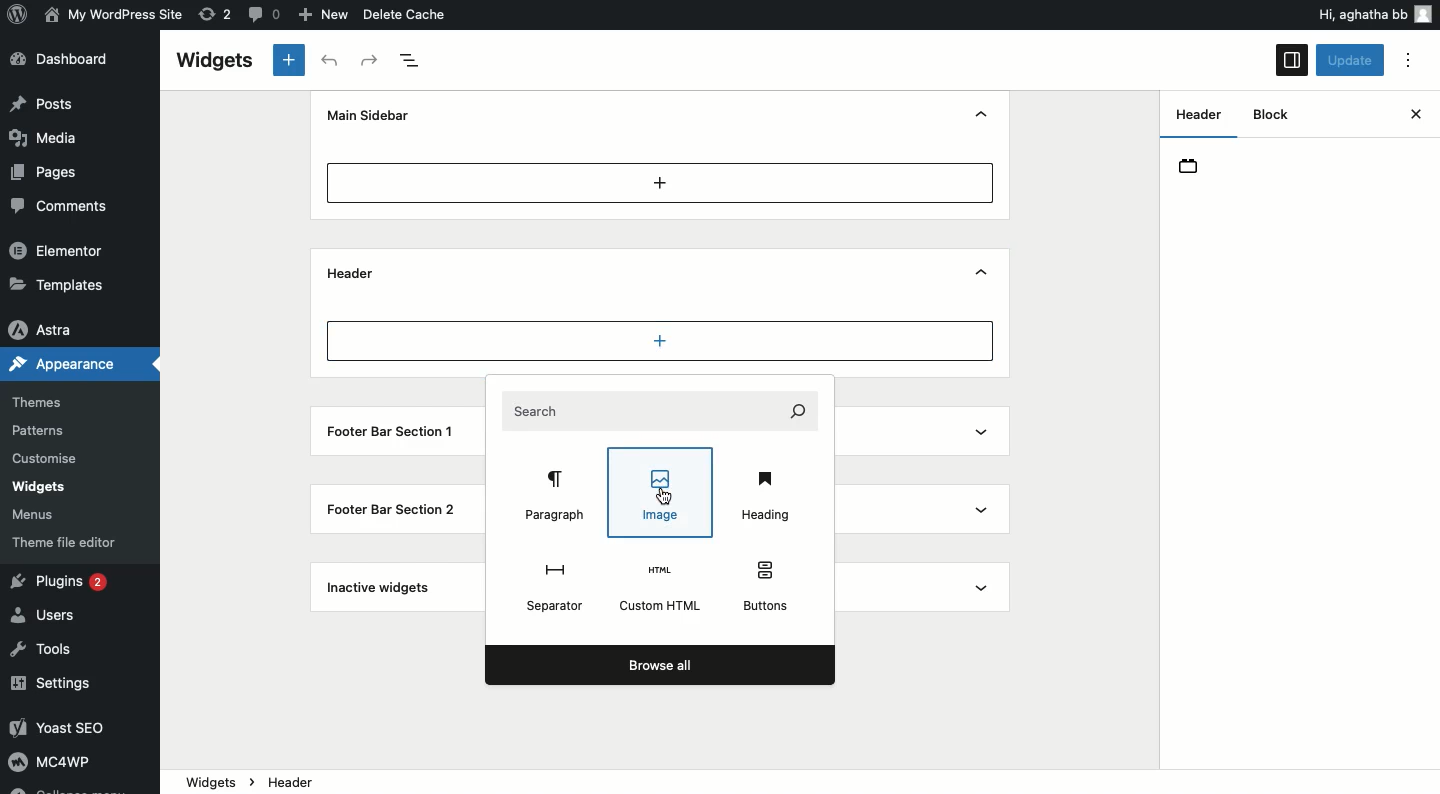  I want to click on Block, so click(1266, 115).